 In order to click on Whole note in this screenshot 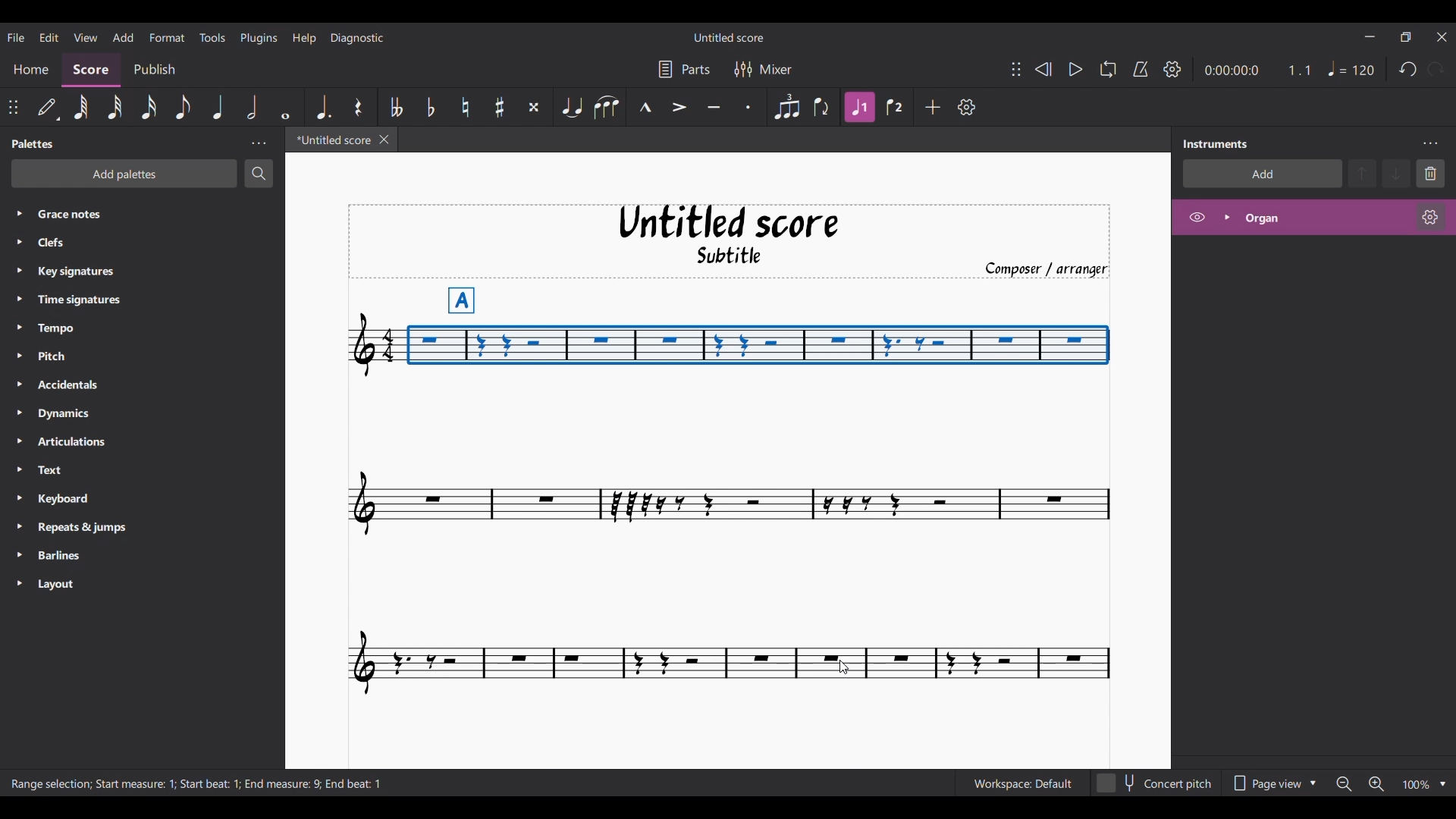, I will do `click(285, 107)`.